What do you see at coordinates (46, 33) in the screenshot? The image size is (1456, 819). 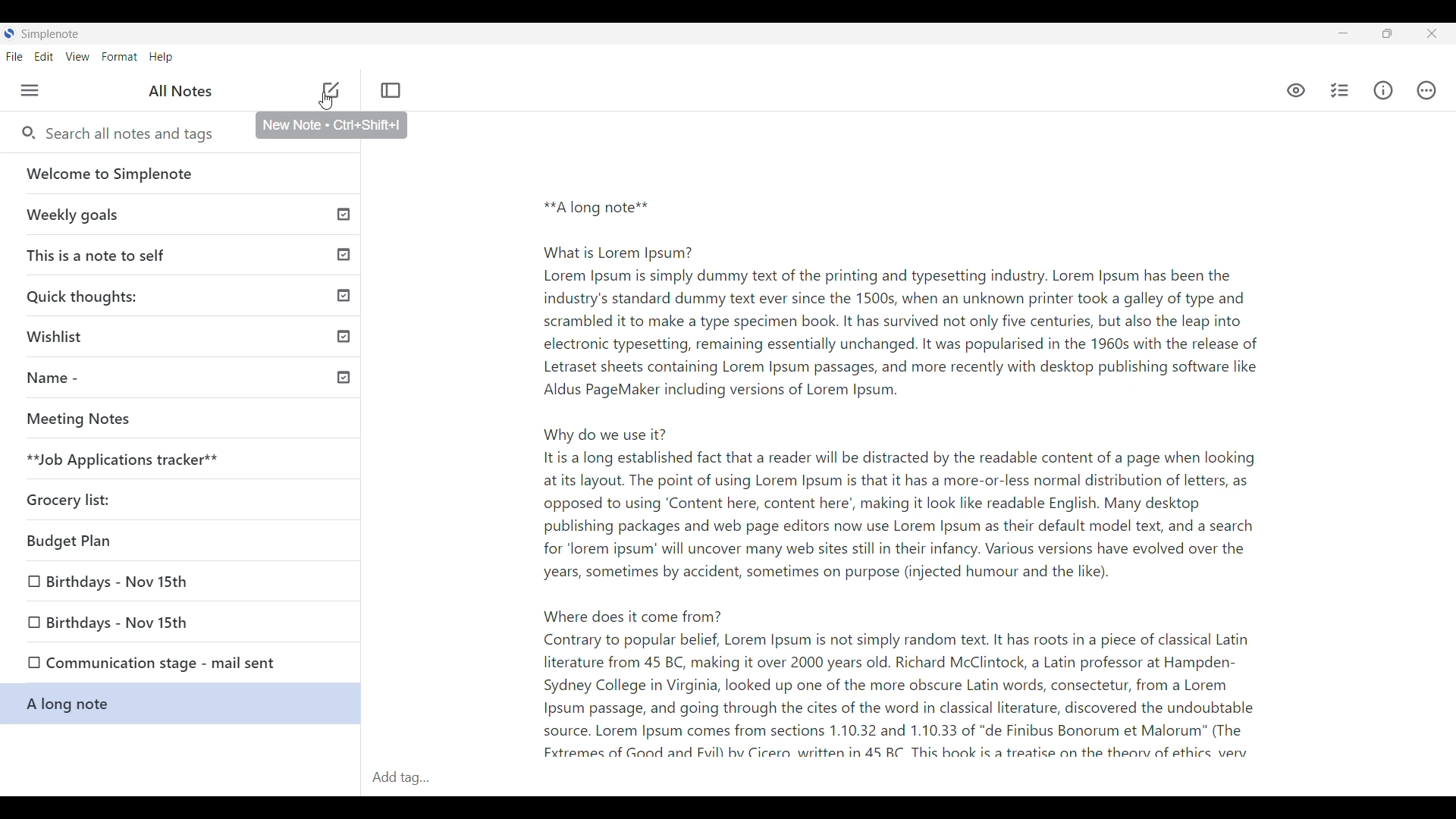 I see `SimpleNote` at bounding box center [46, 33].